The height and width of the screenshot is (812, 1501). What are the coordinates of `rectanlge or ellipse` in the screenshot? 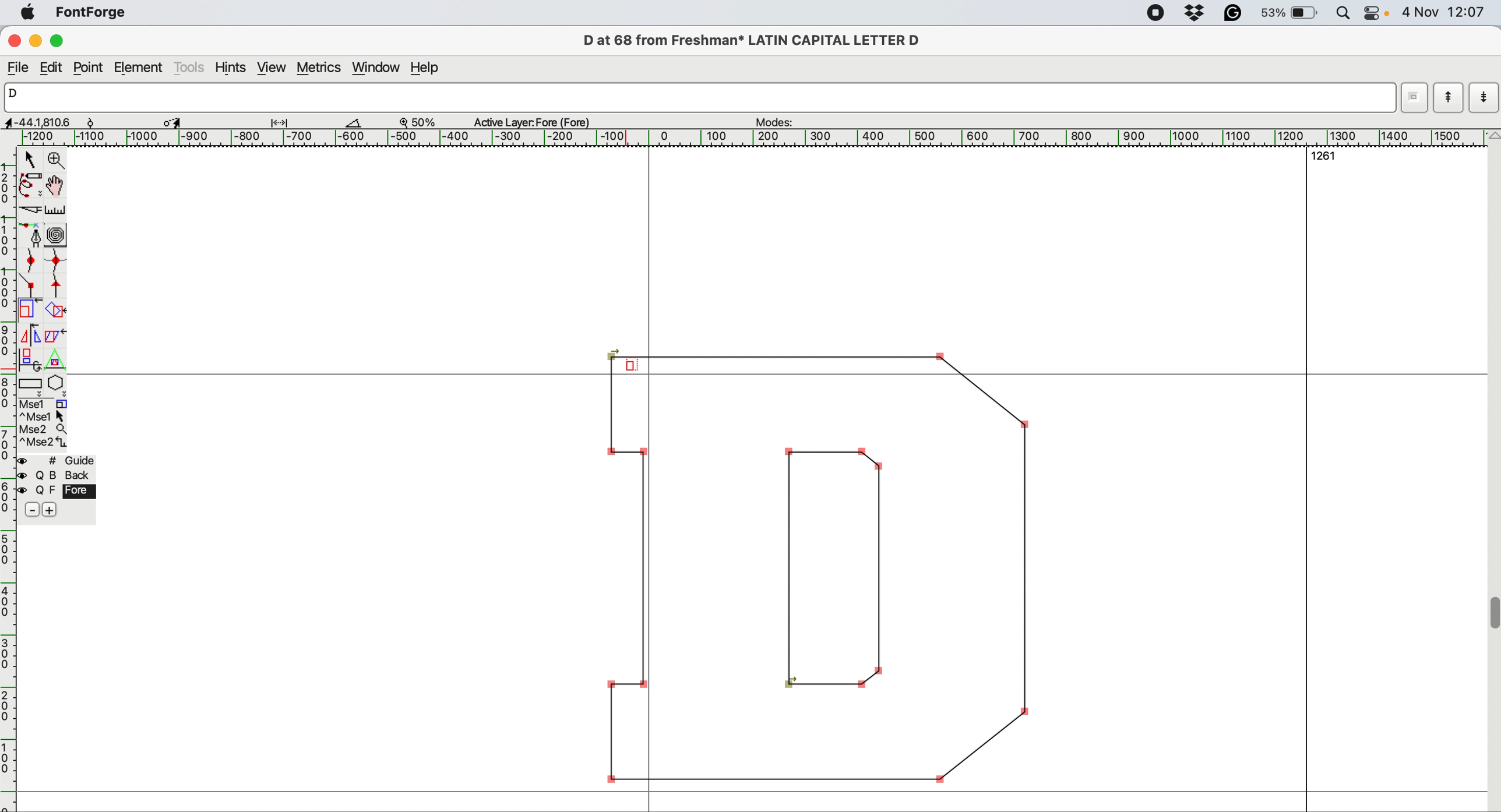 It's located at (31, 385).